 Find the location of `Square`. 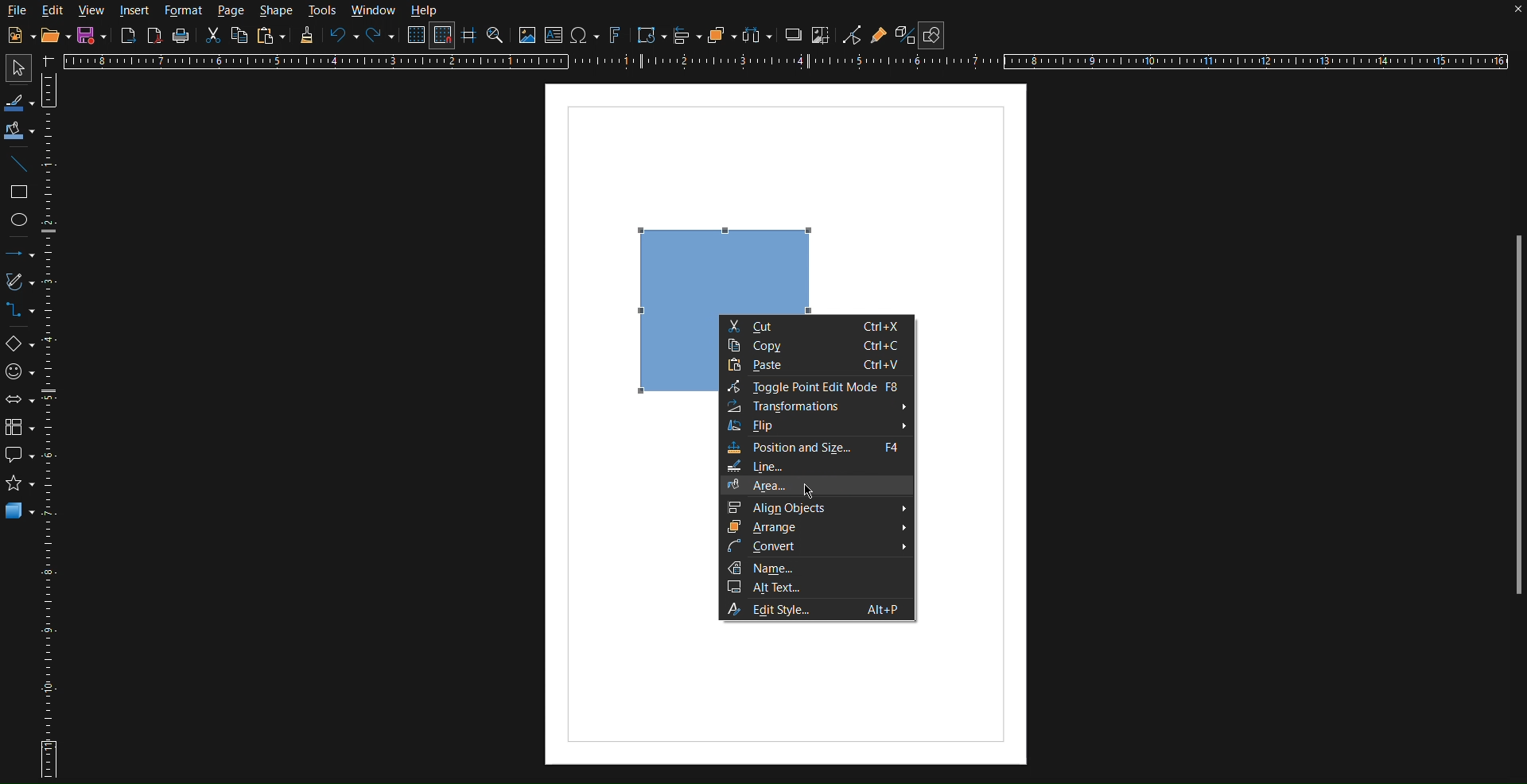

Square is located at coordinates (19, 192).